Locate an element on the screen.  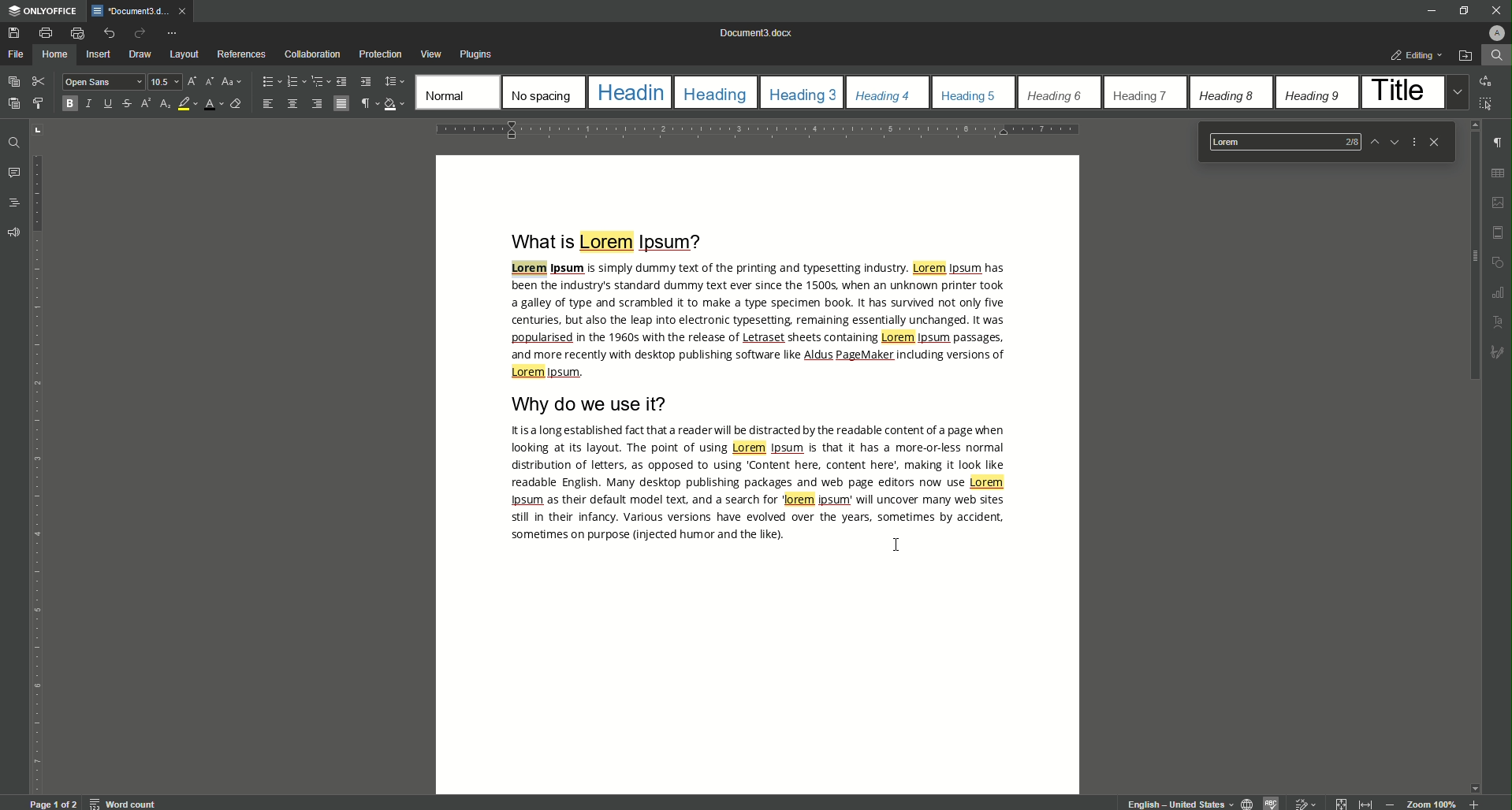
Draw is located at coordinates (142, 54).